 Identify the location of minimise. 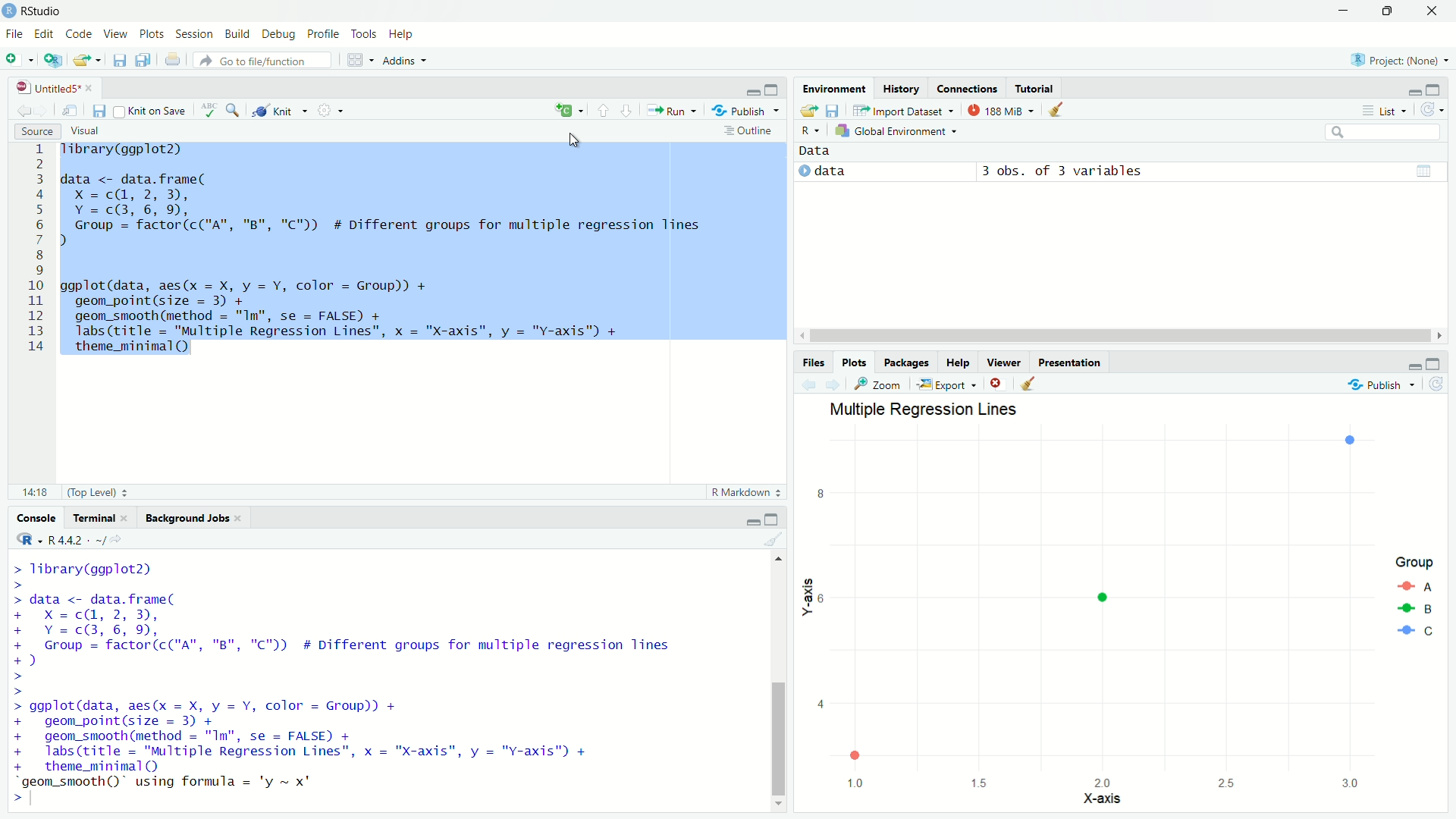
(1412, 363).